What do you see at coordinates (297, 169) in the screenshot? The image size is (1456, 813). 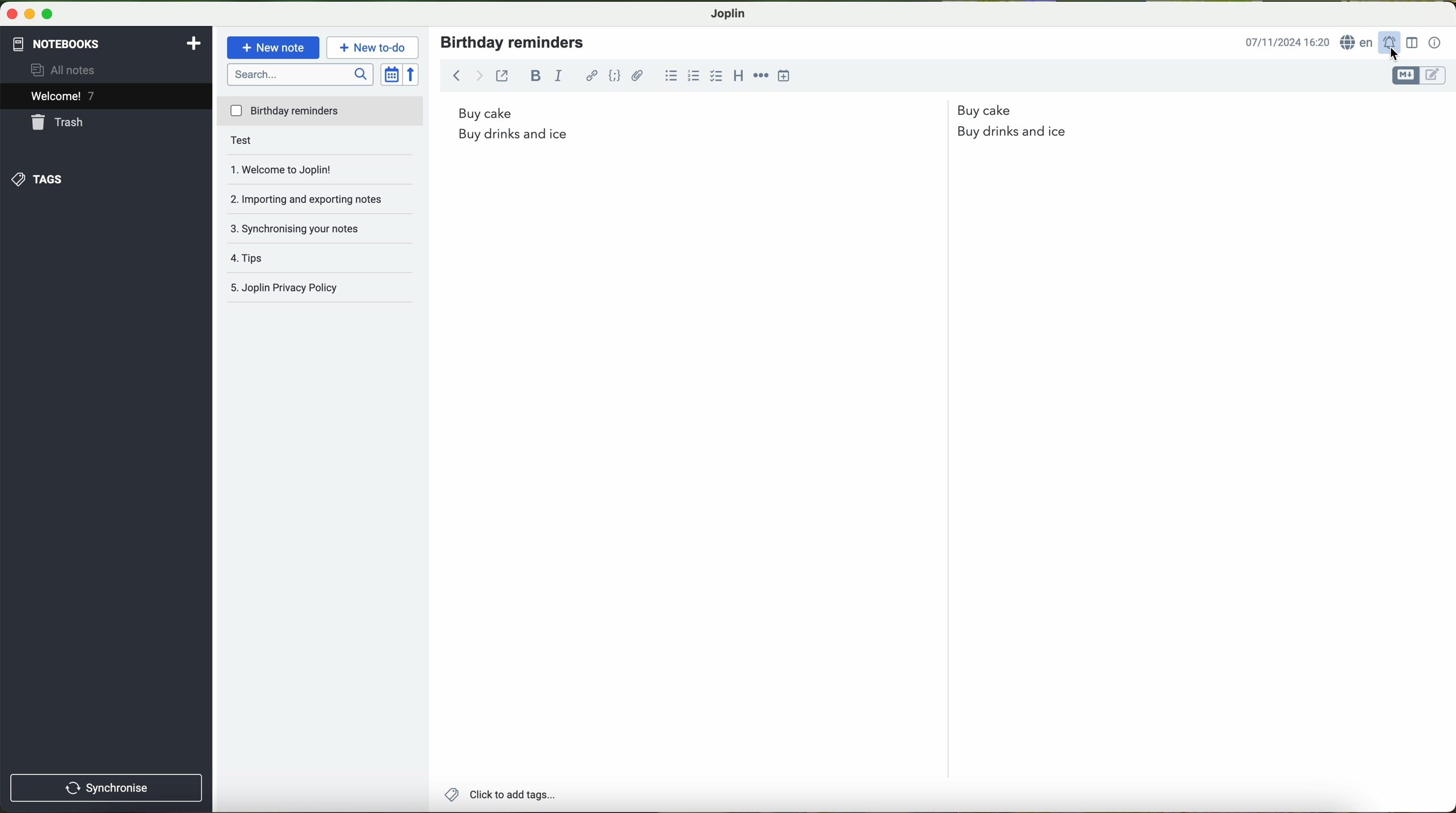 I see `welcome to Joplin` at bounding box center [297, 169].